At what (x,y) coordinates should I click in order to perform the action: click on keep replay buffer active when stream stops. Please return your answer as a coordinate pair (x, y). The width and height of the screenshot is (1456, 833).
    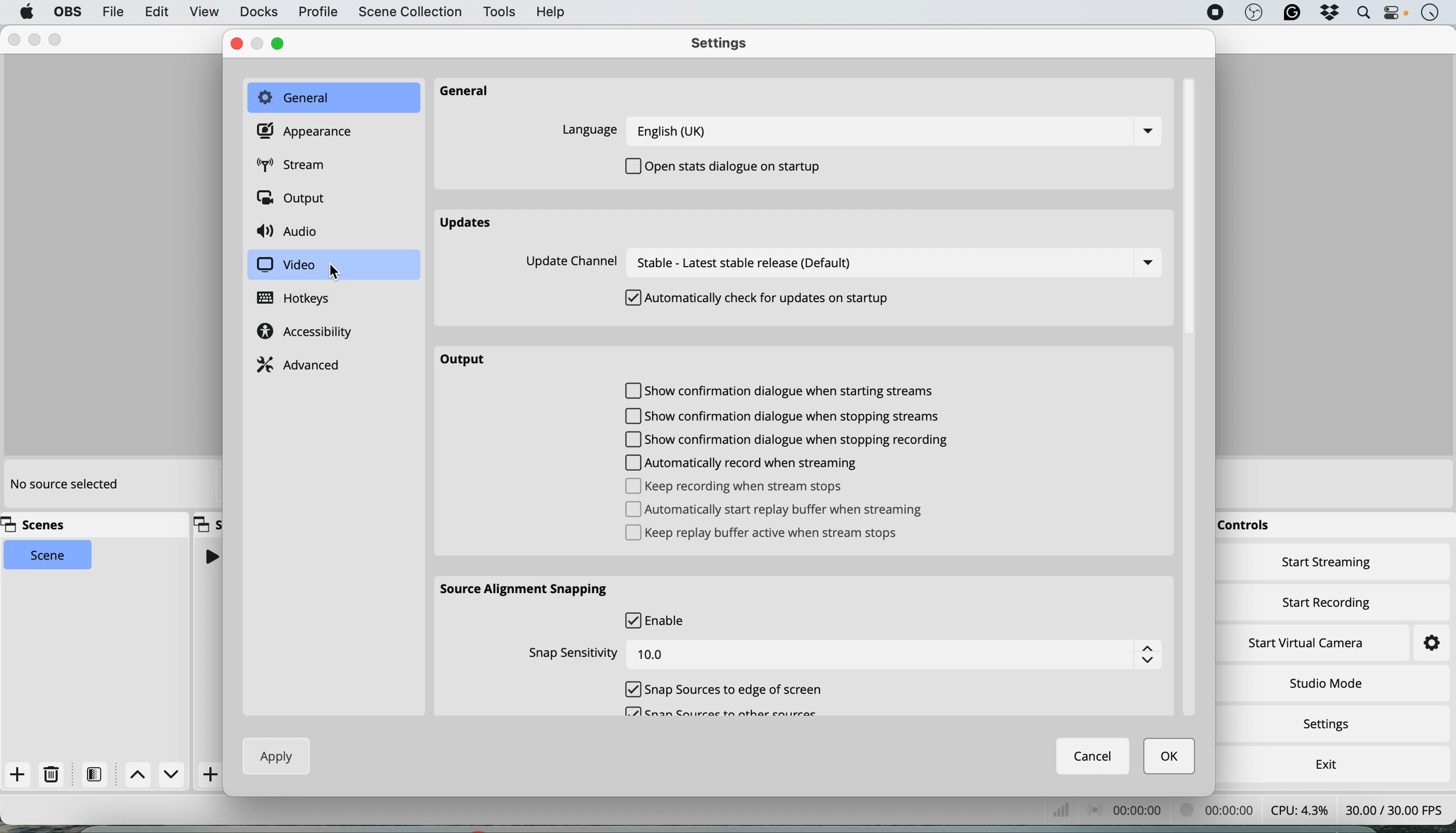
    Looking at the image, I should click on (767, 535).